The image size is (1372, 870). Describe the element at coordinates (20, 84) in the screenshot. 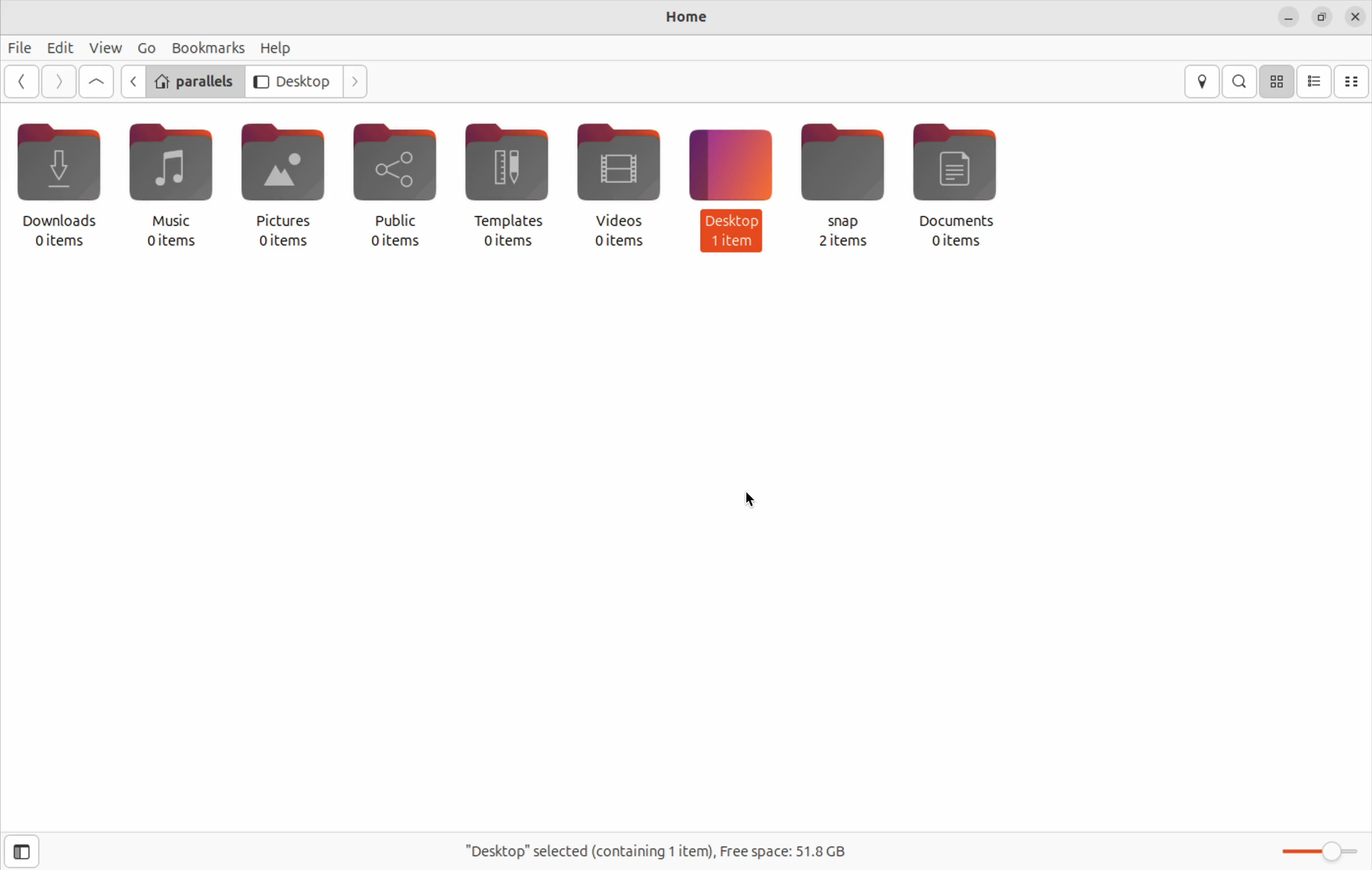

I see `go back` at that location.